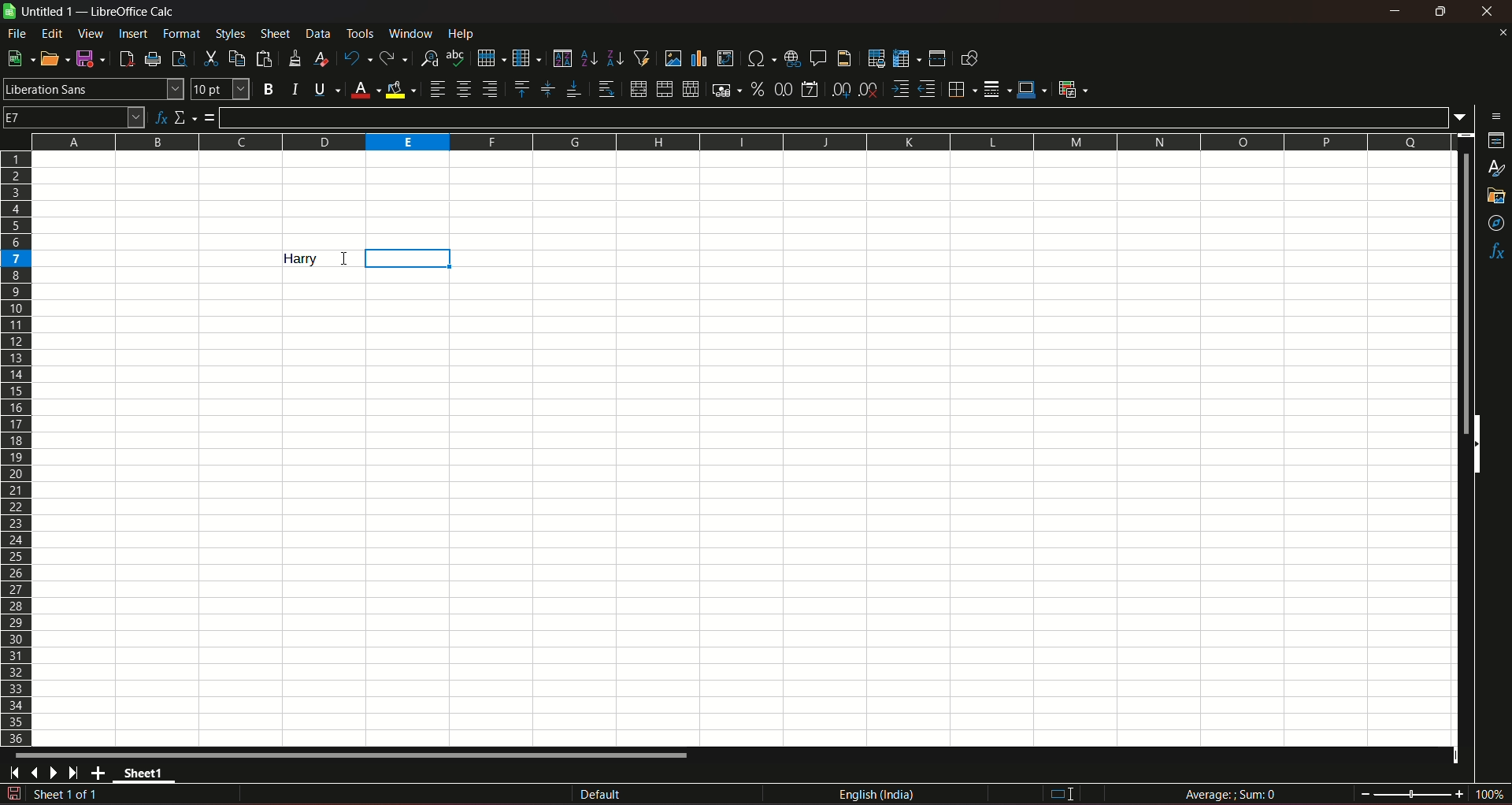 The height and width of the screenshot is (805, 1512). Describe the element at coordinates (1464, 116) in the screenshot. I see `expand formula bar` at that location.